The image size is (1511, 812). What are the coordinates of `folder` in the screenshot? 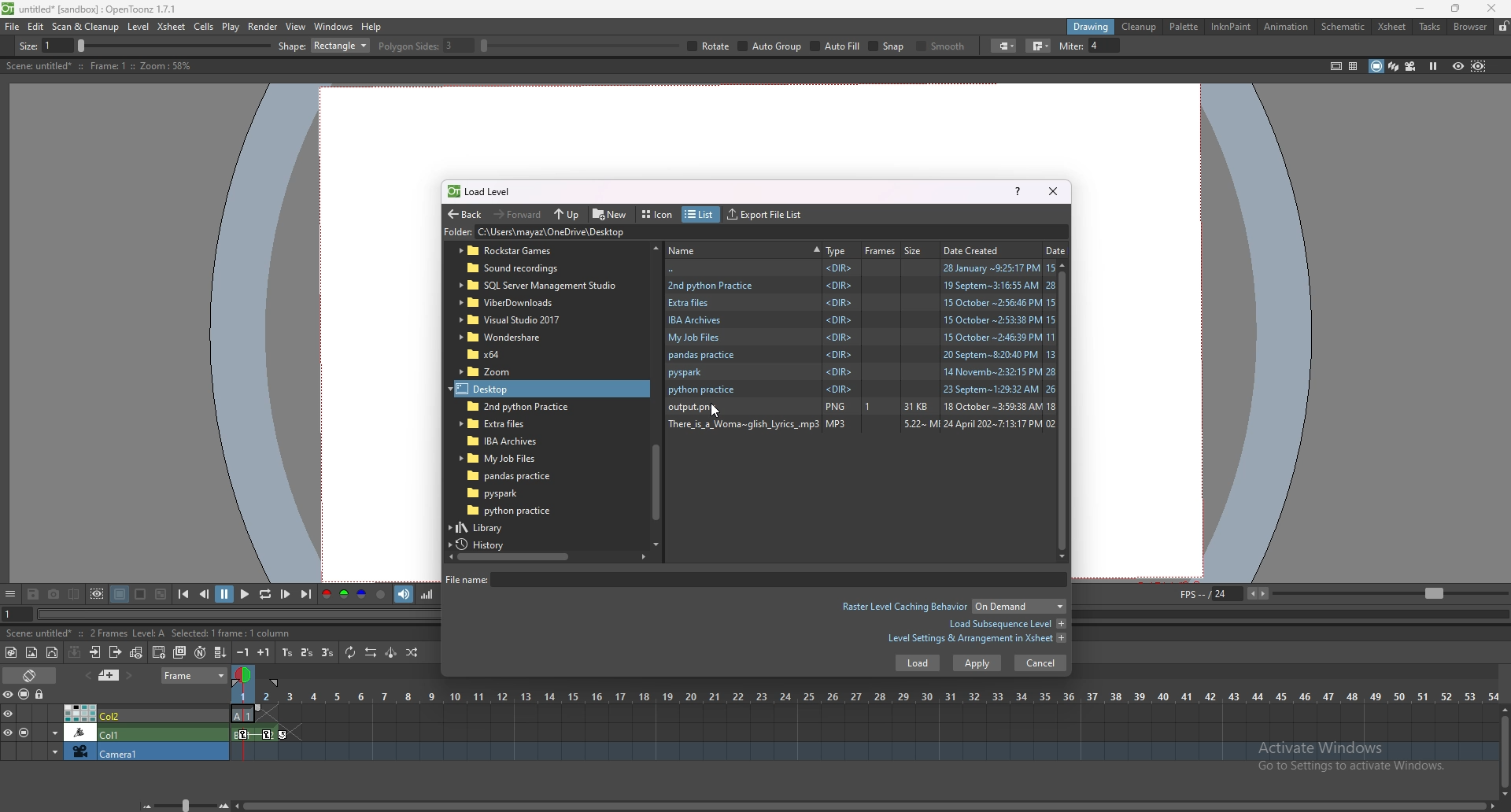 It's located at (538, 286).